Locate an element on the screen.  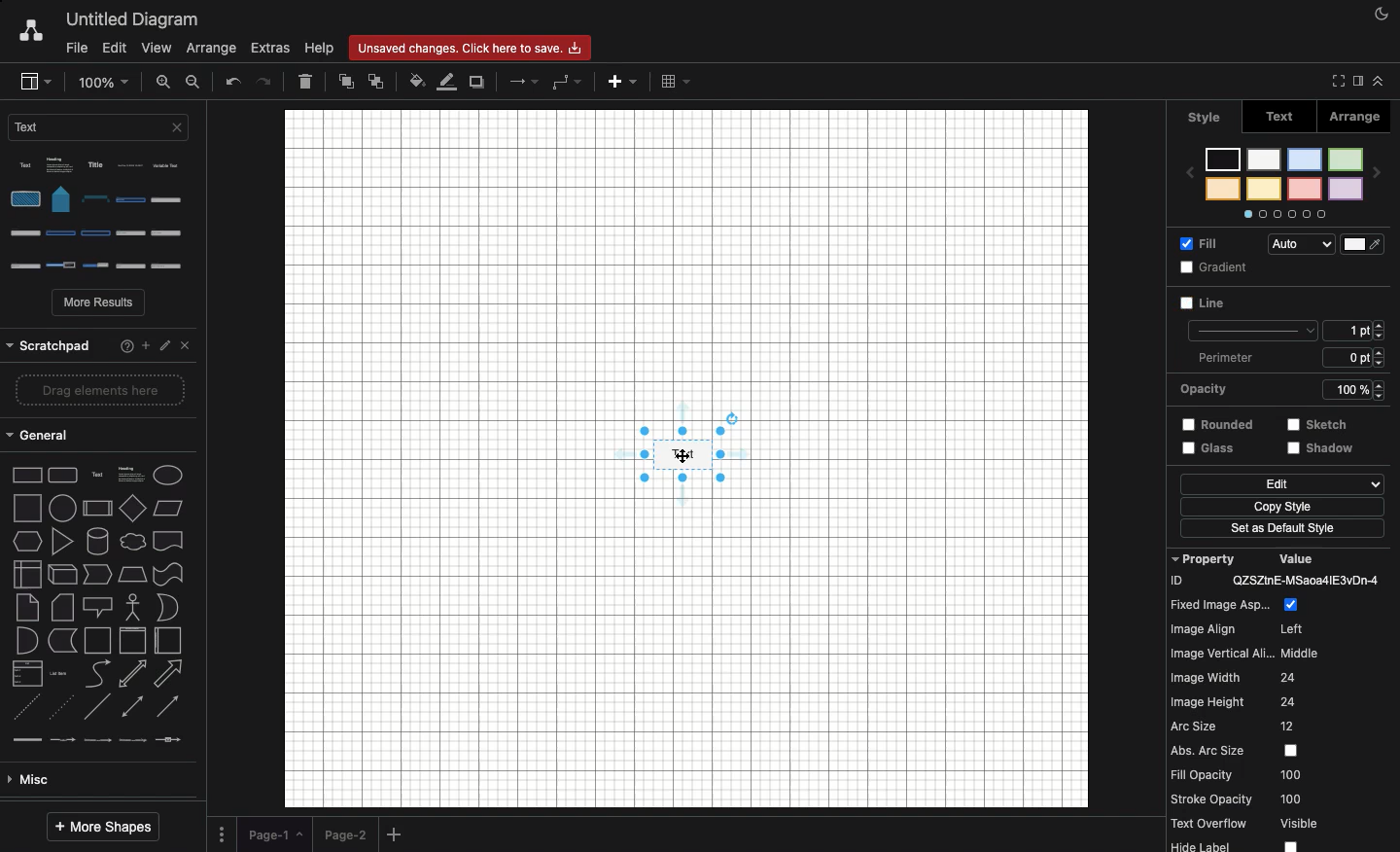
Text is located at coordinates (102, 132).